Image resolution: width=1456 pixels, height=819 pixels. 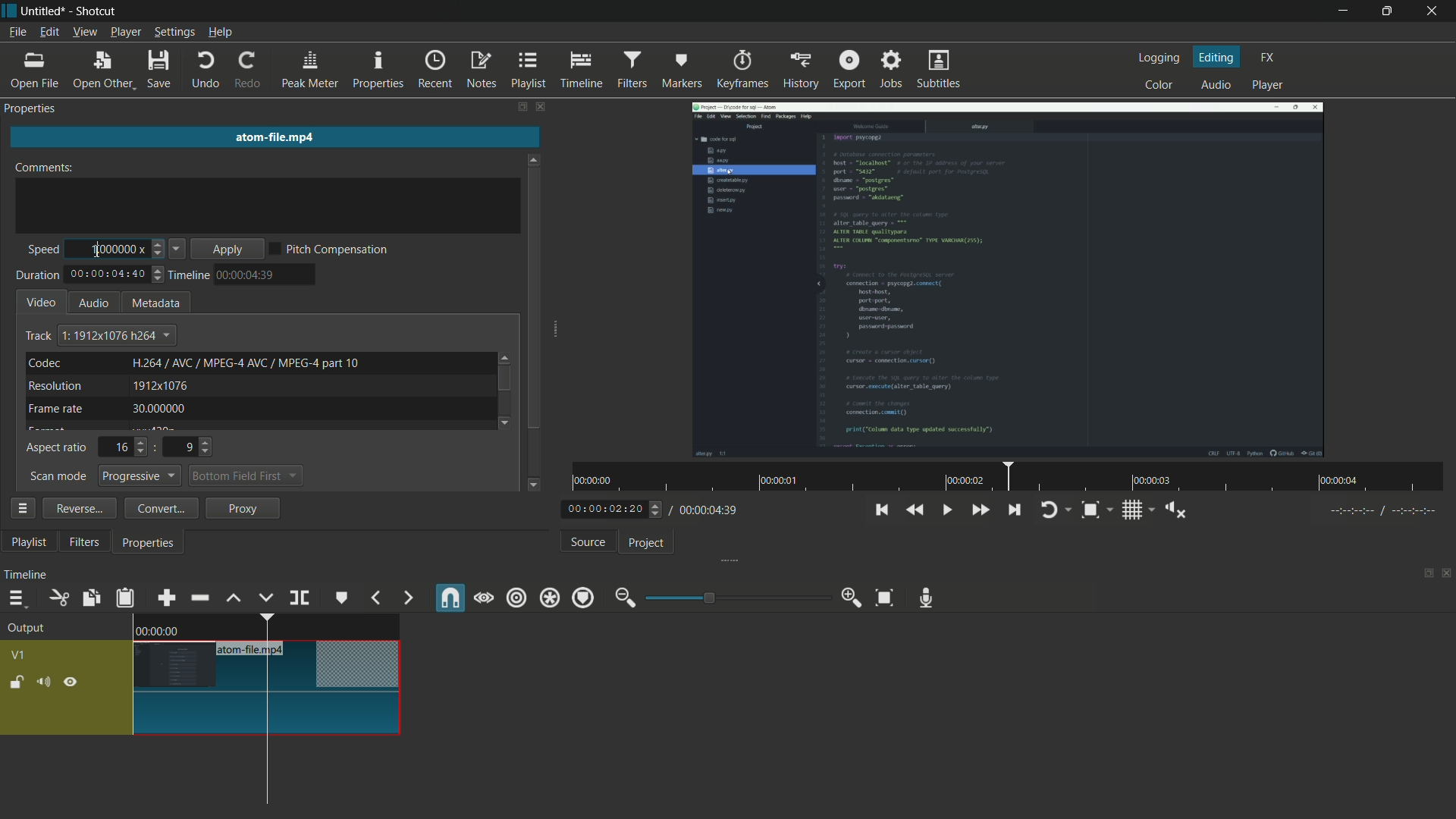 I want to click on player, so click(x=1272, y=86).